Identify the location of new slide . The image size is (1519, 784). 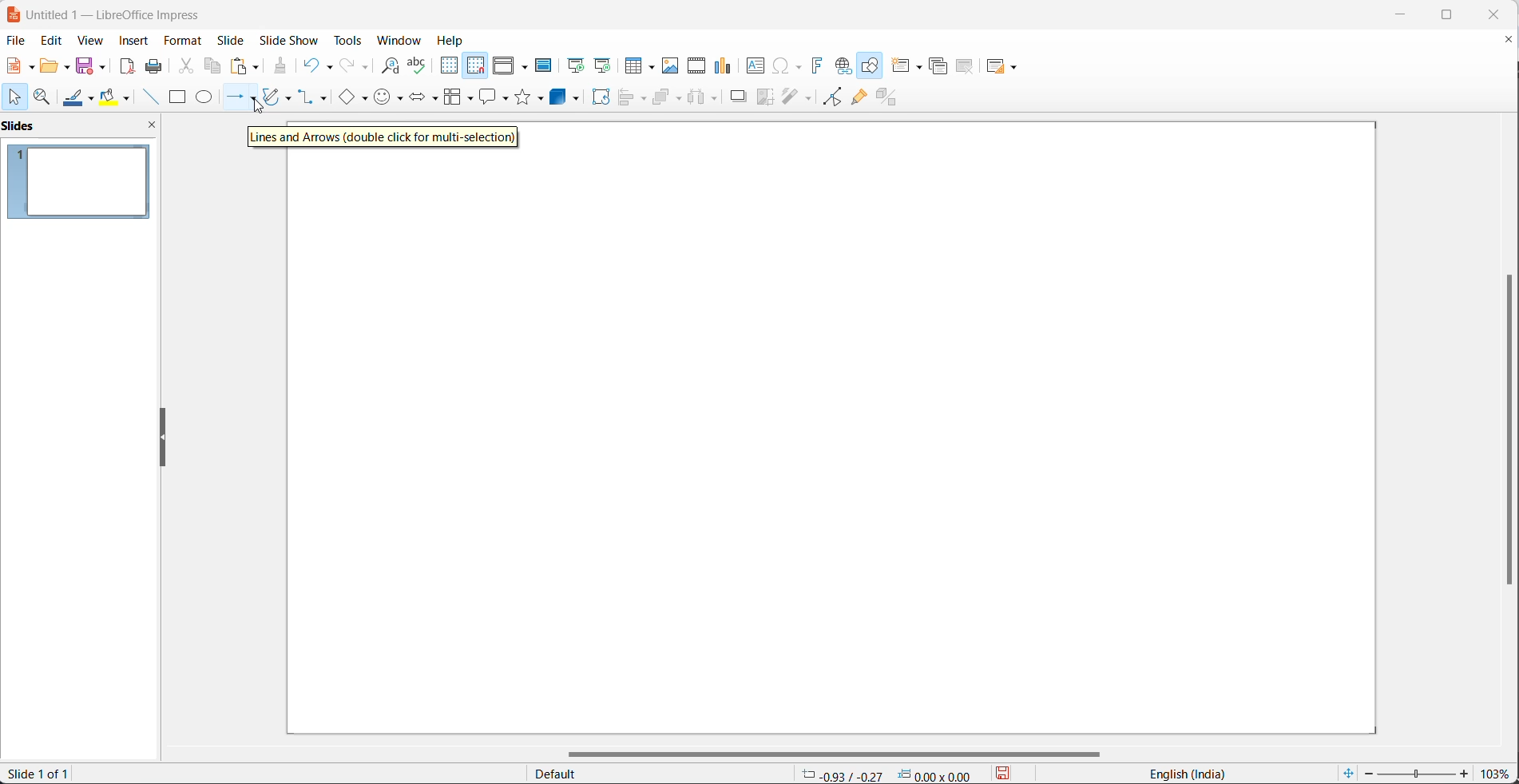
(909, 65).